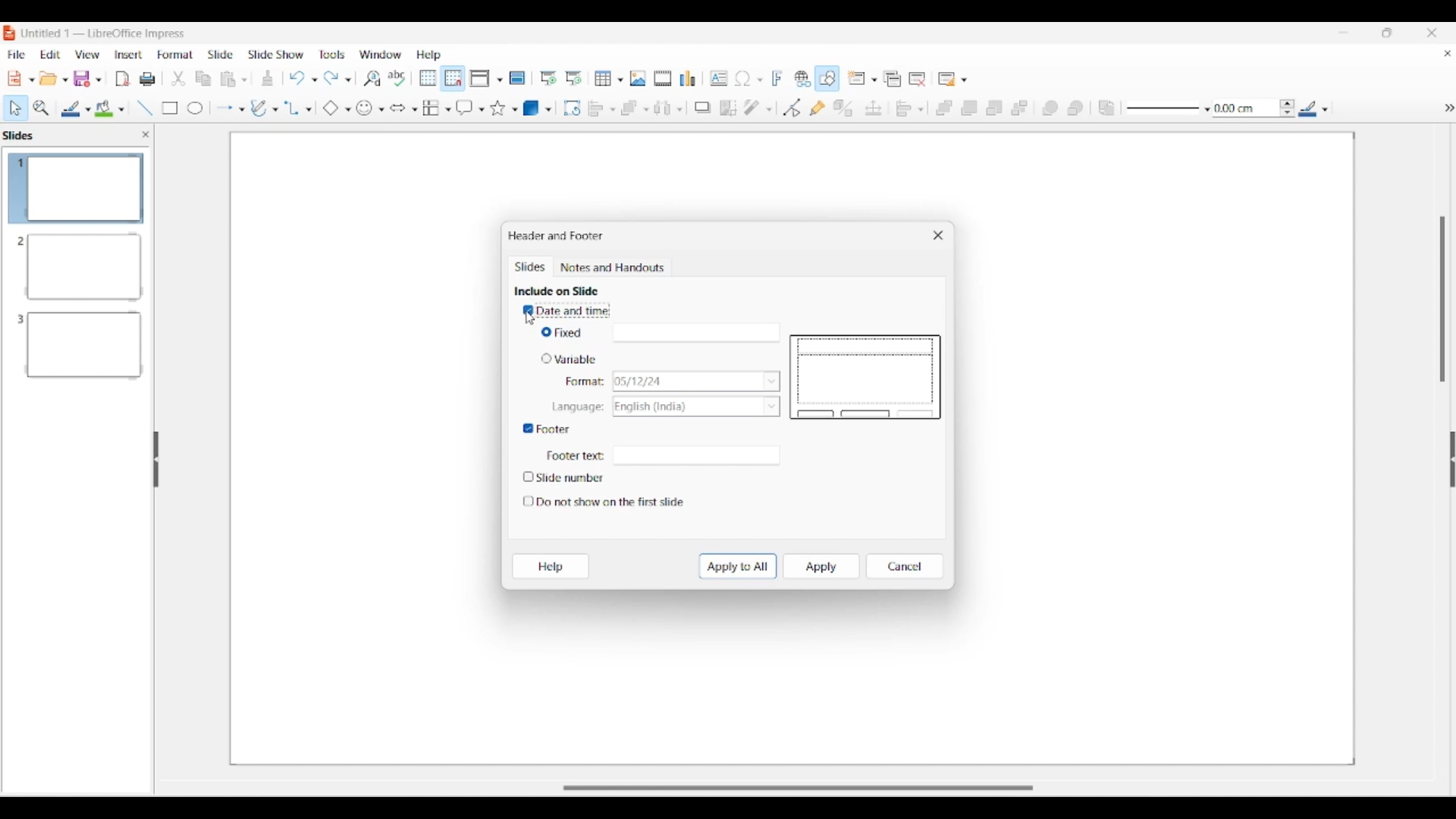 The height and width of the screenshot is (819, 1456). I want to click on Toggle for footer, so click(547, 429).